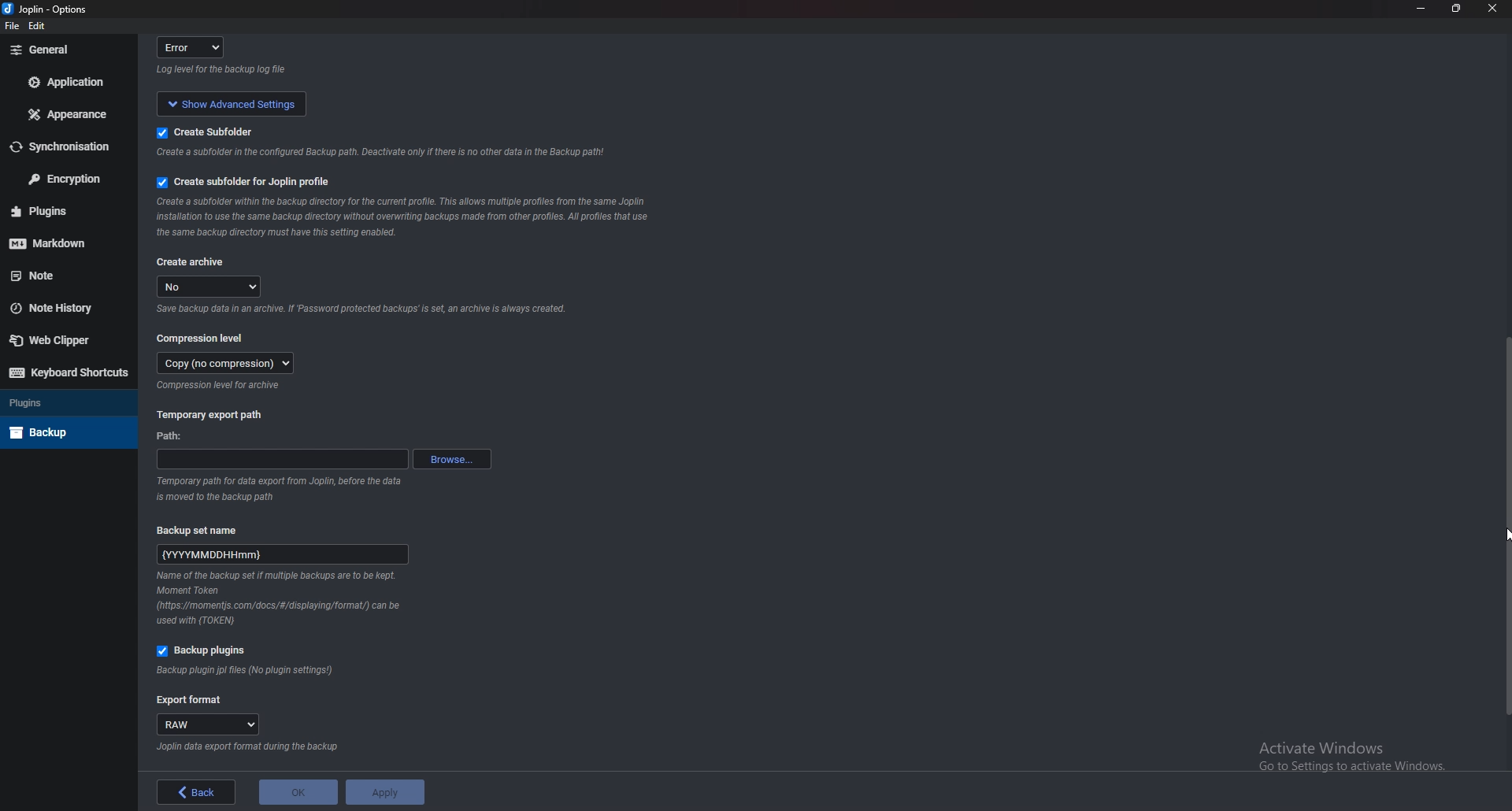 This screenshot has height=811, width=1512. I want to click on raw, so click(210, 725).